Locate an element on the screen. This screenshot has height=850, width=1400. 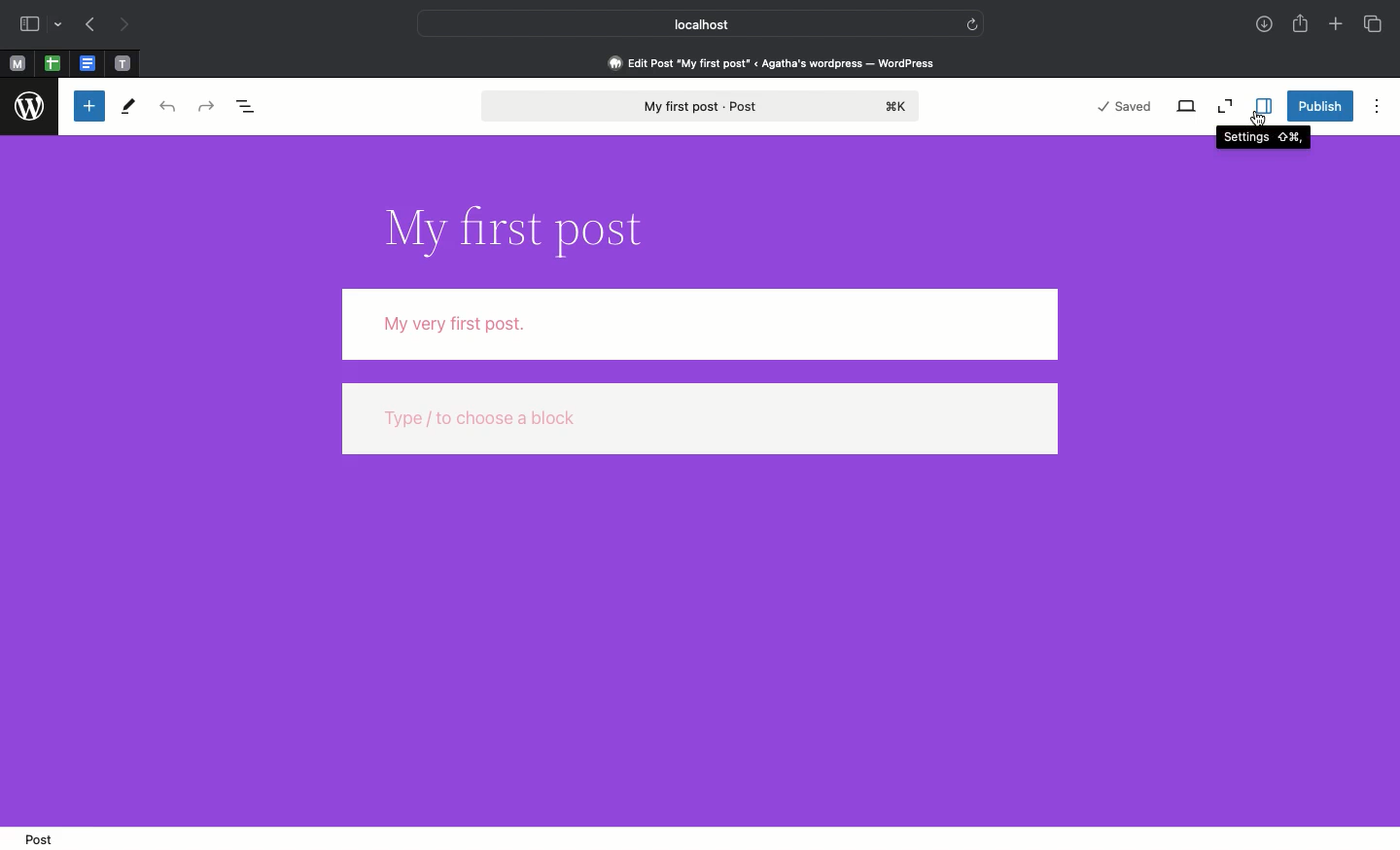
Saved is located at coordinates (1125, 106).